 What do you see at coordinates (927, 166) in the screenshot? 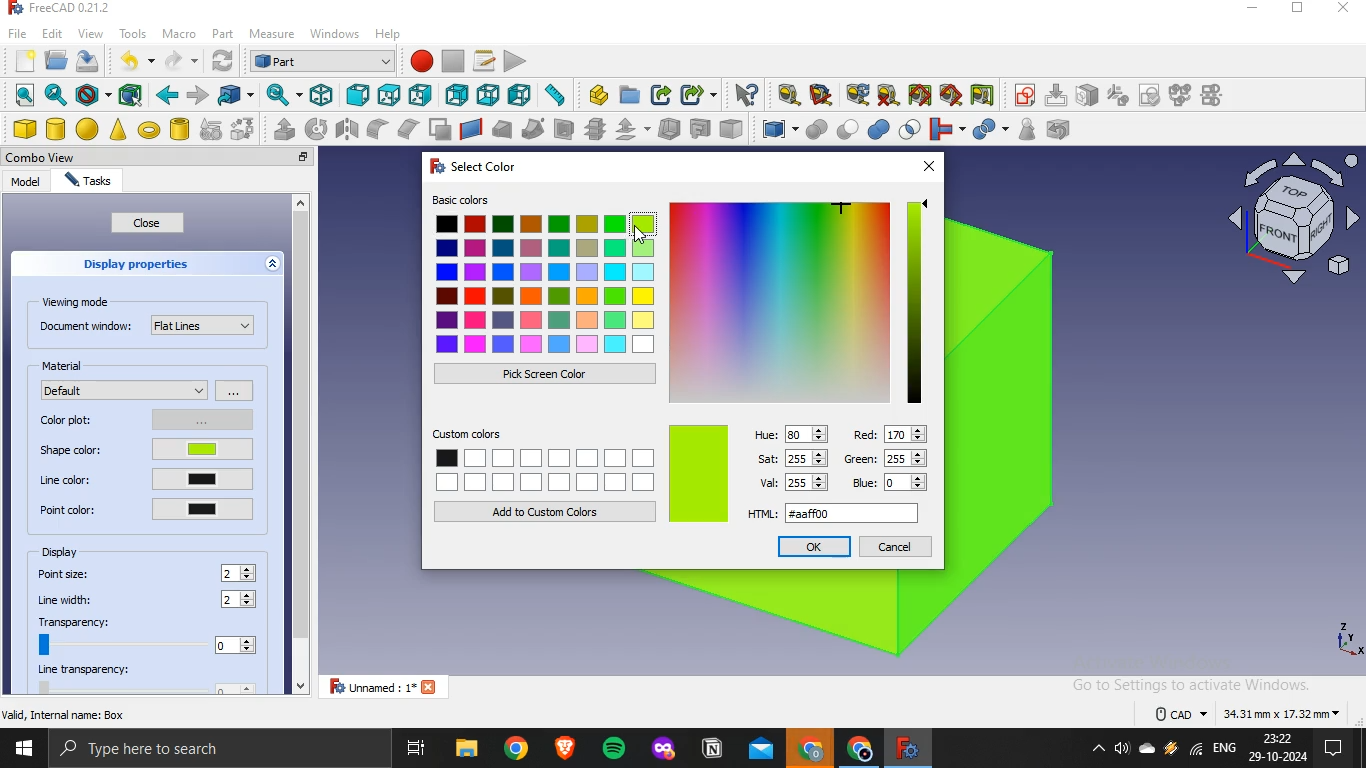
I see `close` at bounding box center [927, 166].